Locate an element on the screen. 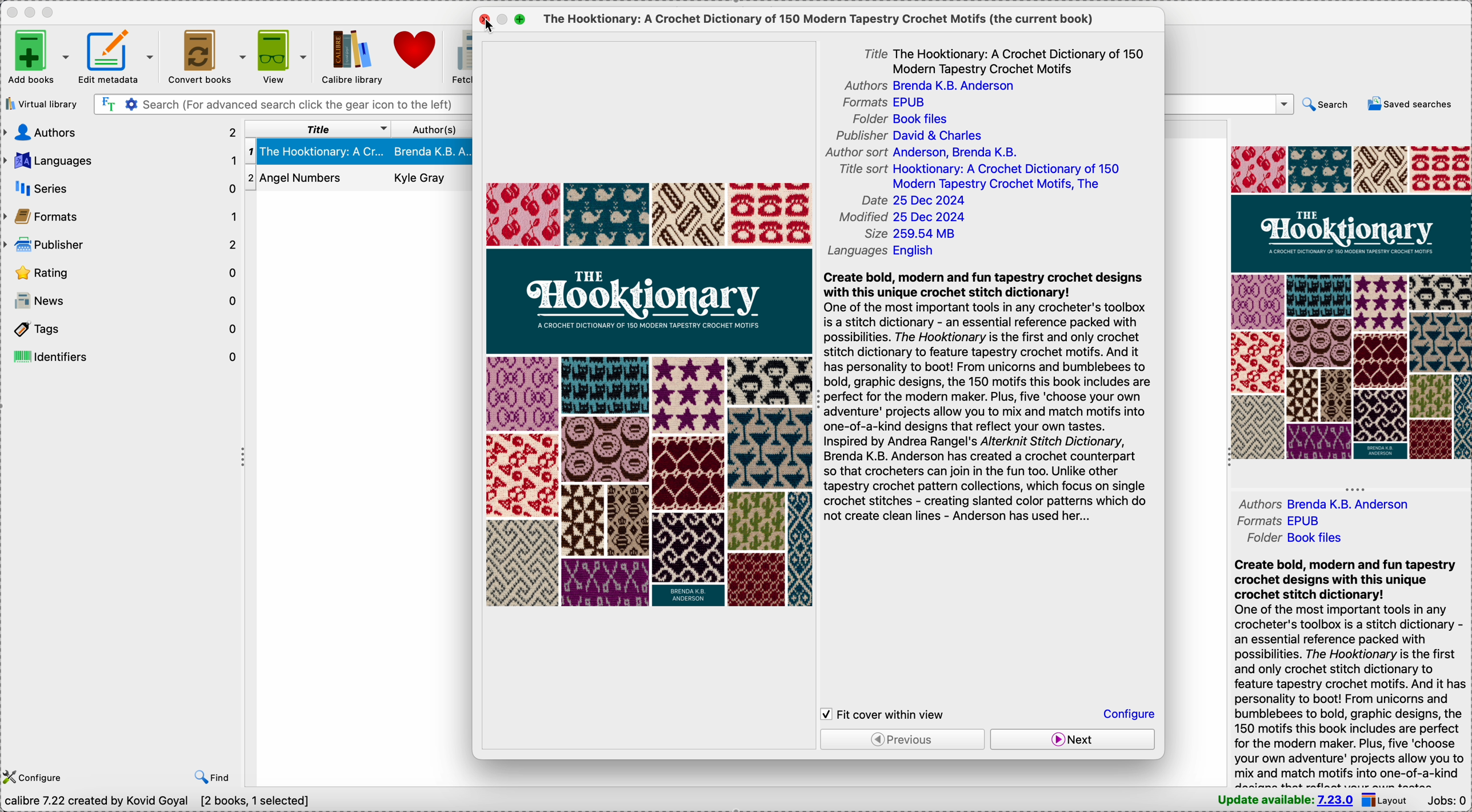 The image size is (1472, 812). Jobs: 0 is located at coordinates (1447, 802).